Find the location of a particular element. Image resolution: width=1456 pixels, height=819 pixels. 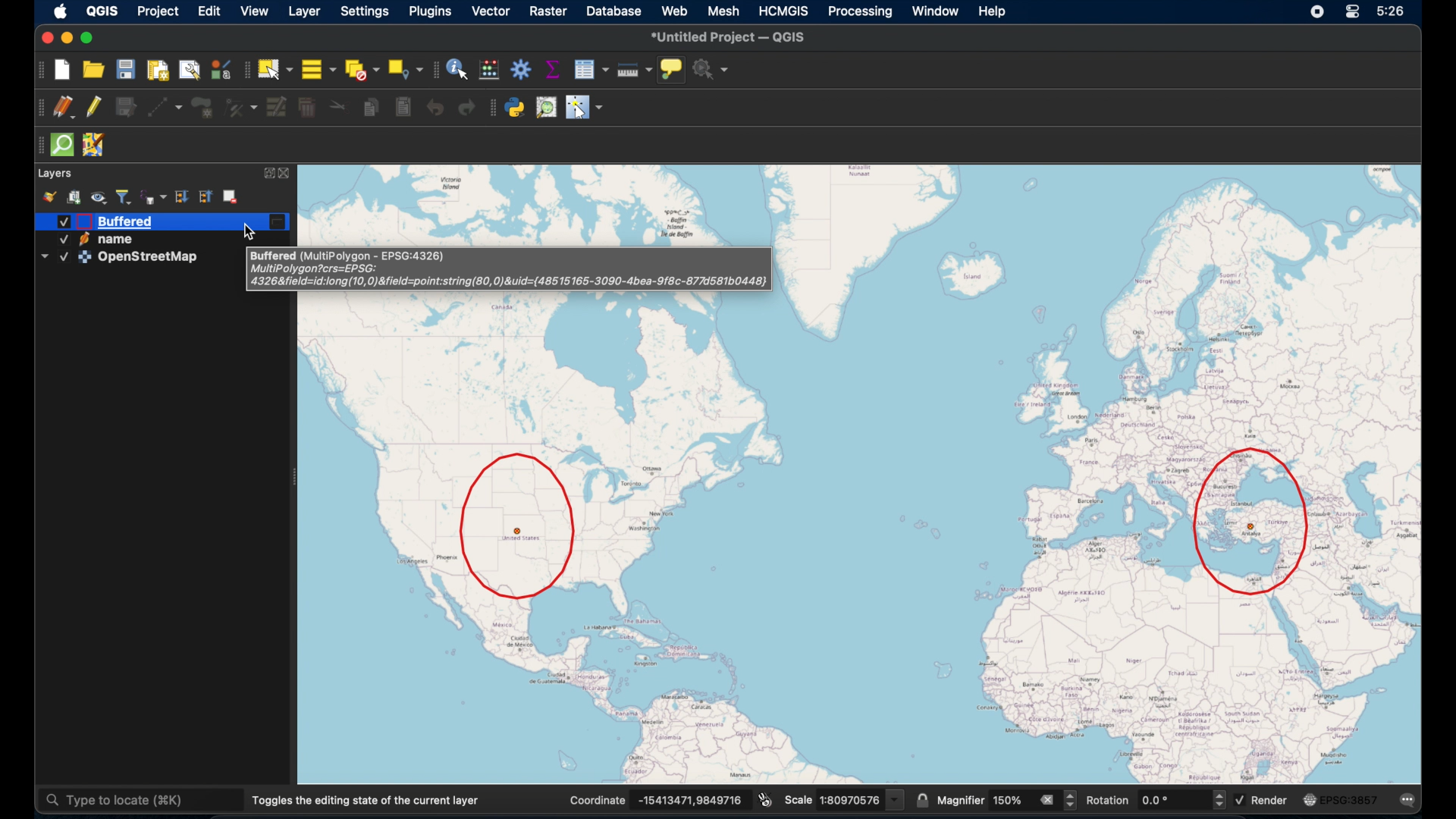

toggles the editing state of the current layer is located at coordinates (367, 801).